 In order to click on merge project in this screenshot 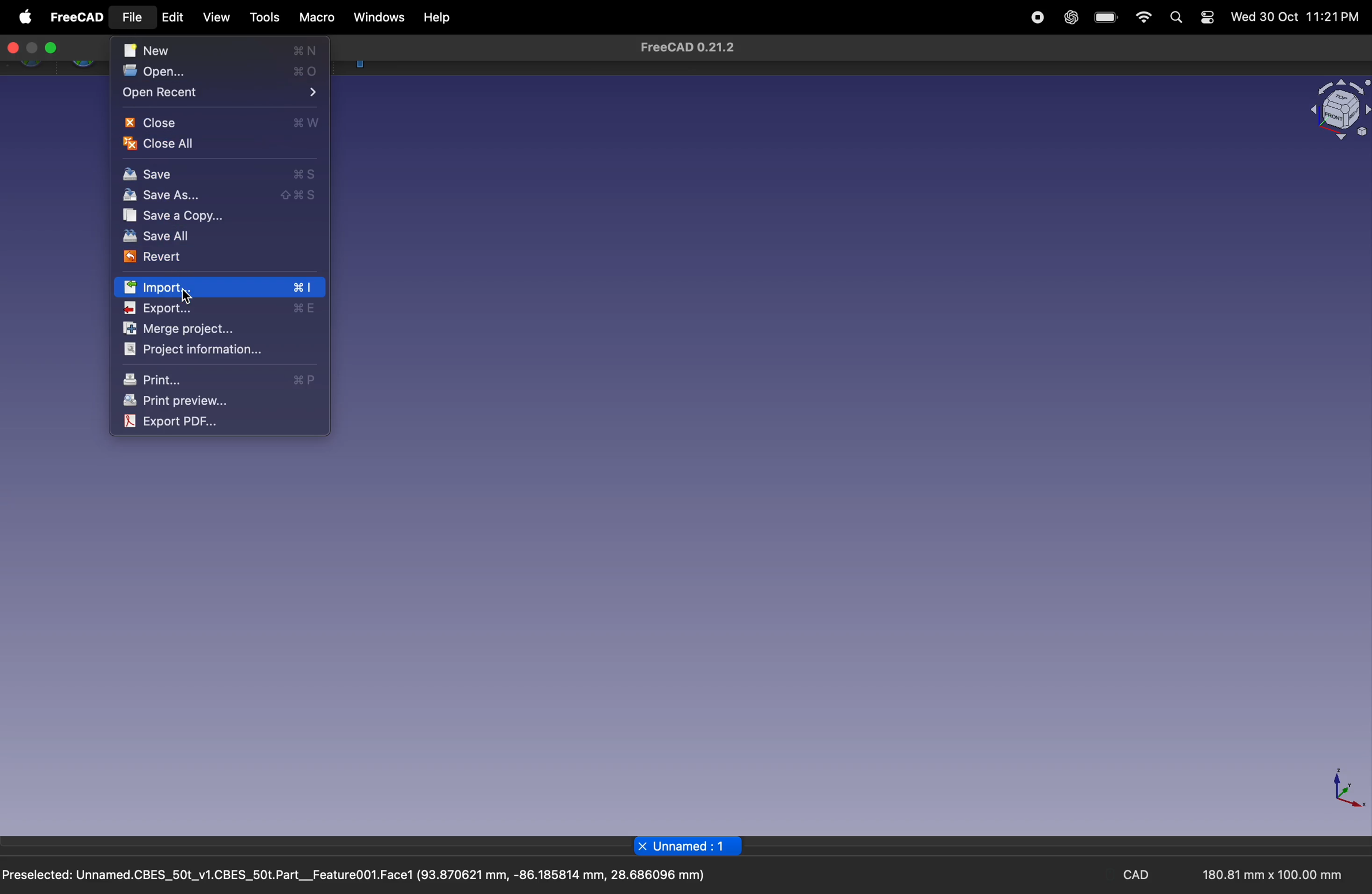, I will do `click(202, 329)`.